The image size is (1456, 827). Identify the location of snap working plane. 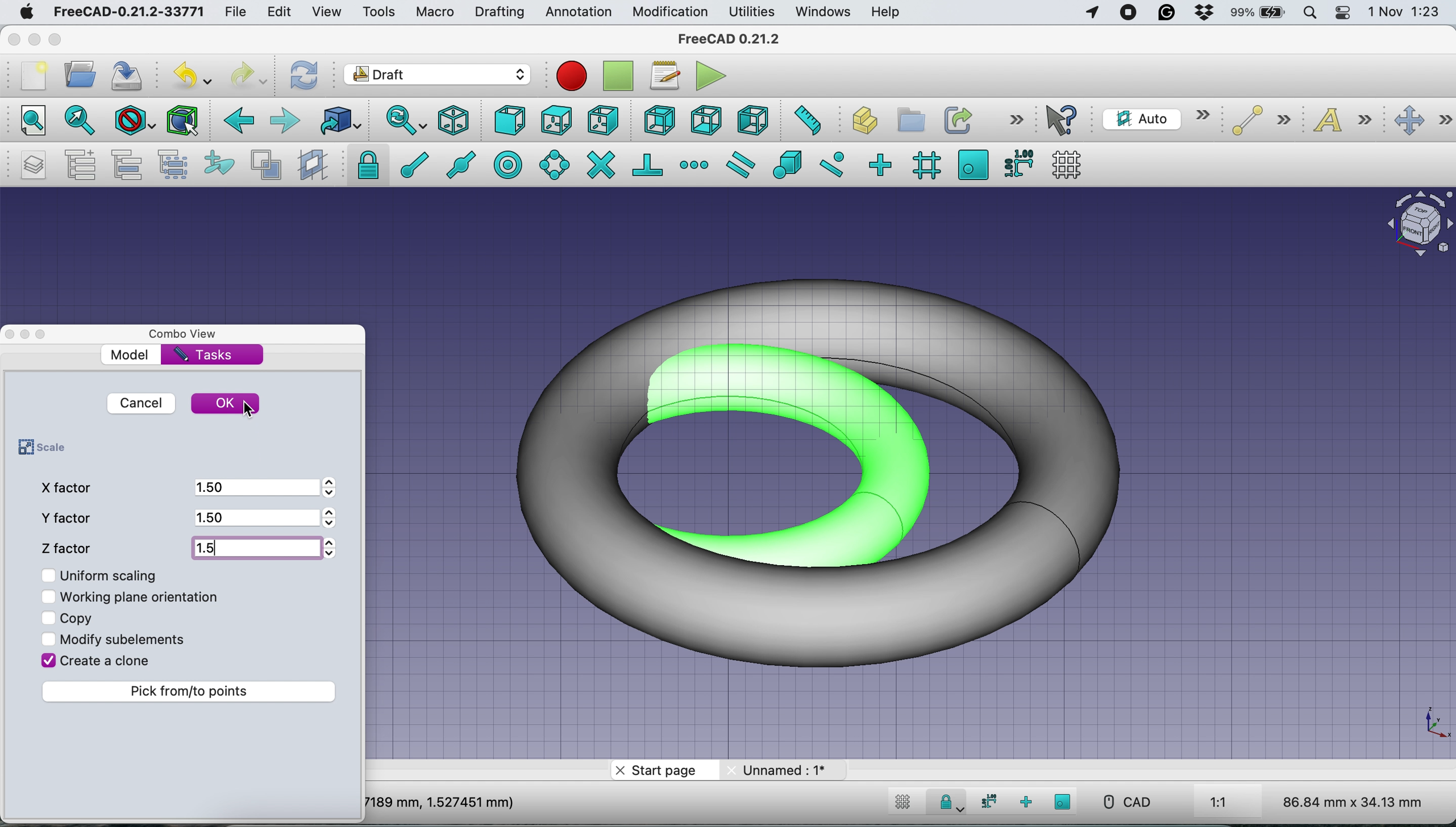
(973, 164).